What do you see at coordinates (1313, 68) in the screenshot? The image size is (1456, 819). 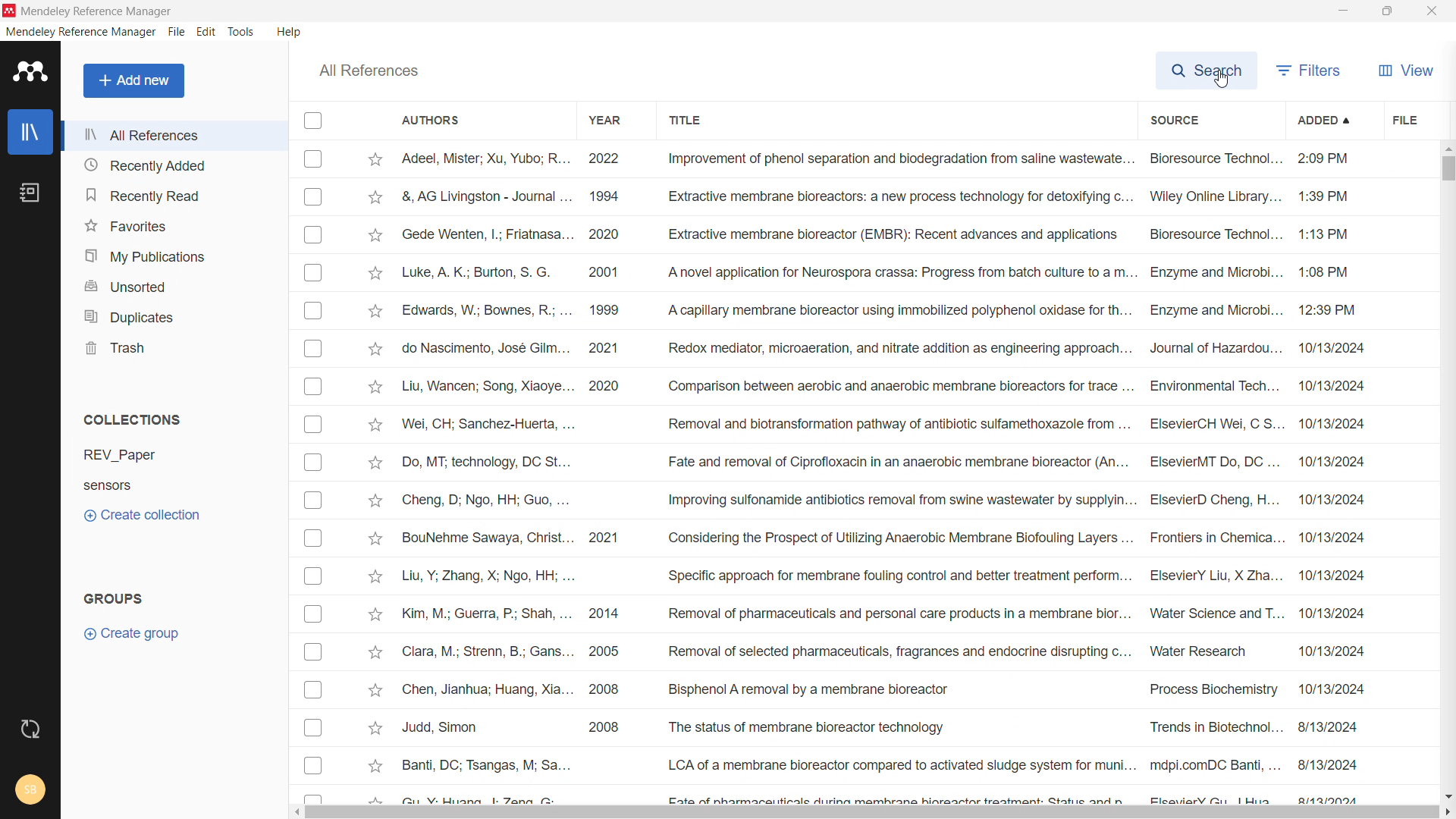 I see `filters` at bounding box center [1313, 68].